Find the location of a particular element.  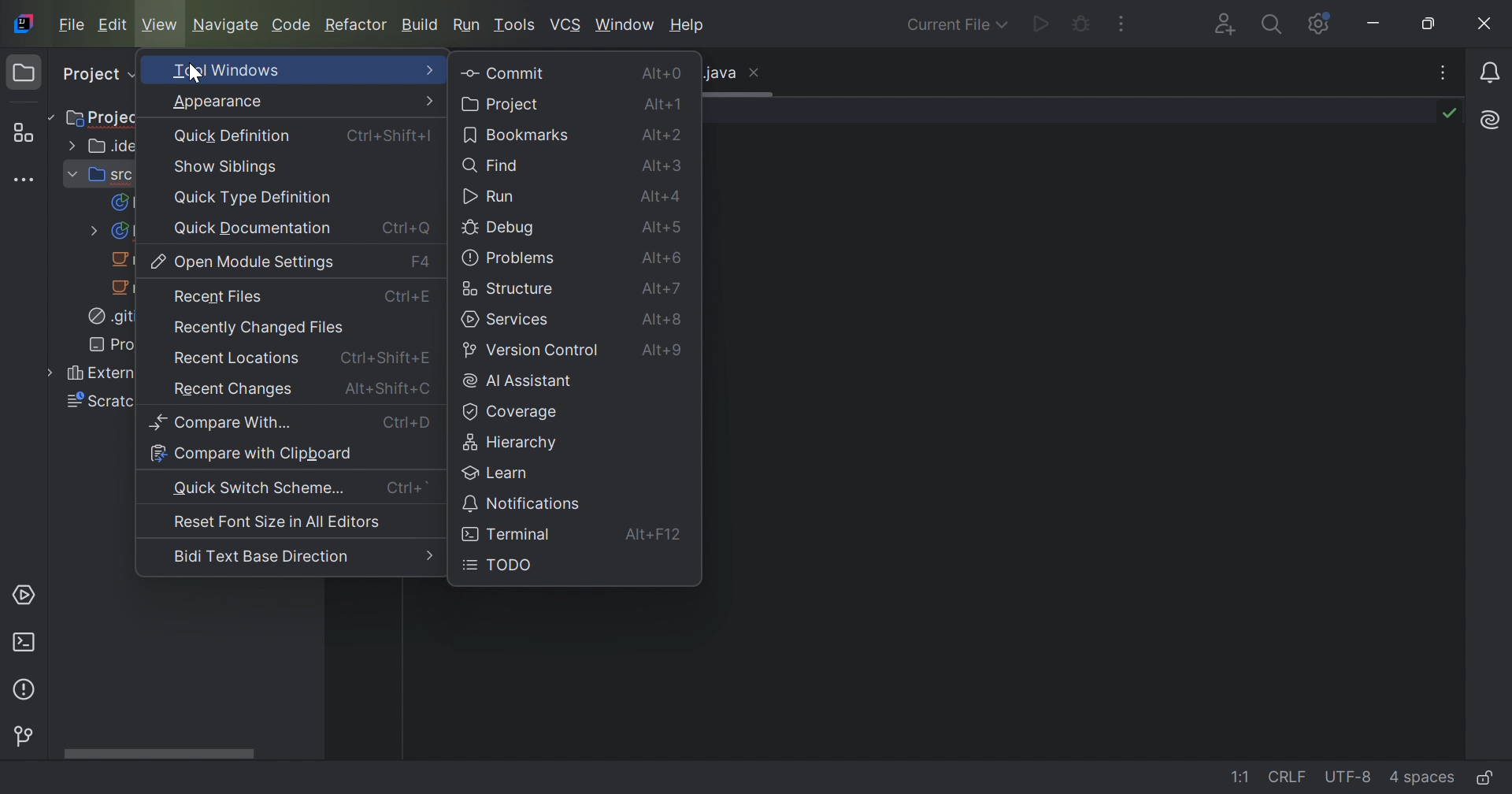

Project icon is located at coordinates (24, 72).